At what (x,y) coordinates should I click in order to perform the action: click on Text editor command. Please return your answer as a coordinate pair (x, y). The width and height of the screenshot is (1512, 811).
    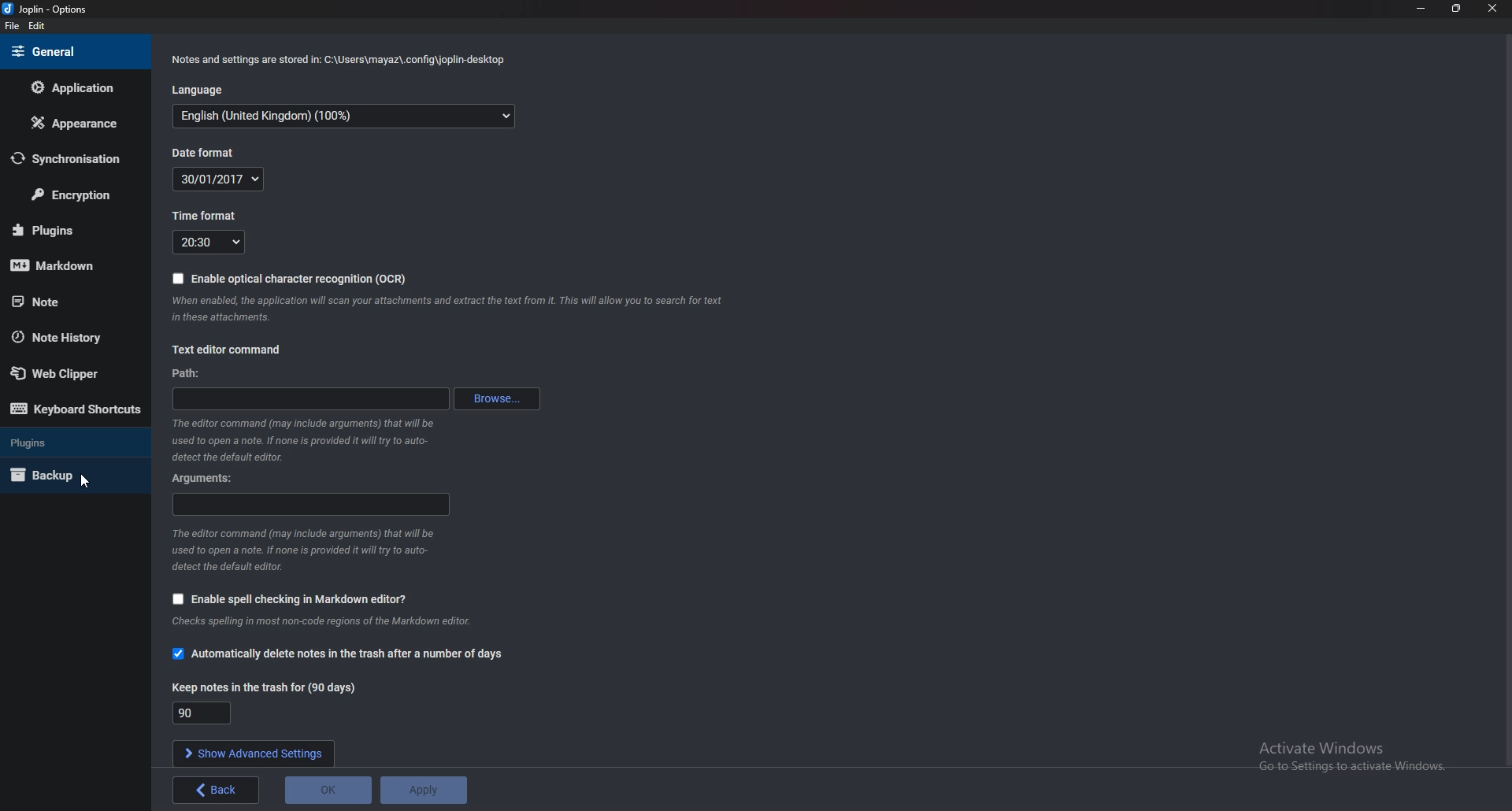
    Looking at the image, I should click on (228, 351).